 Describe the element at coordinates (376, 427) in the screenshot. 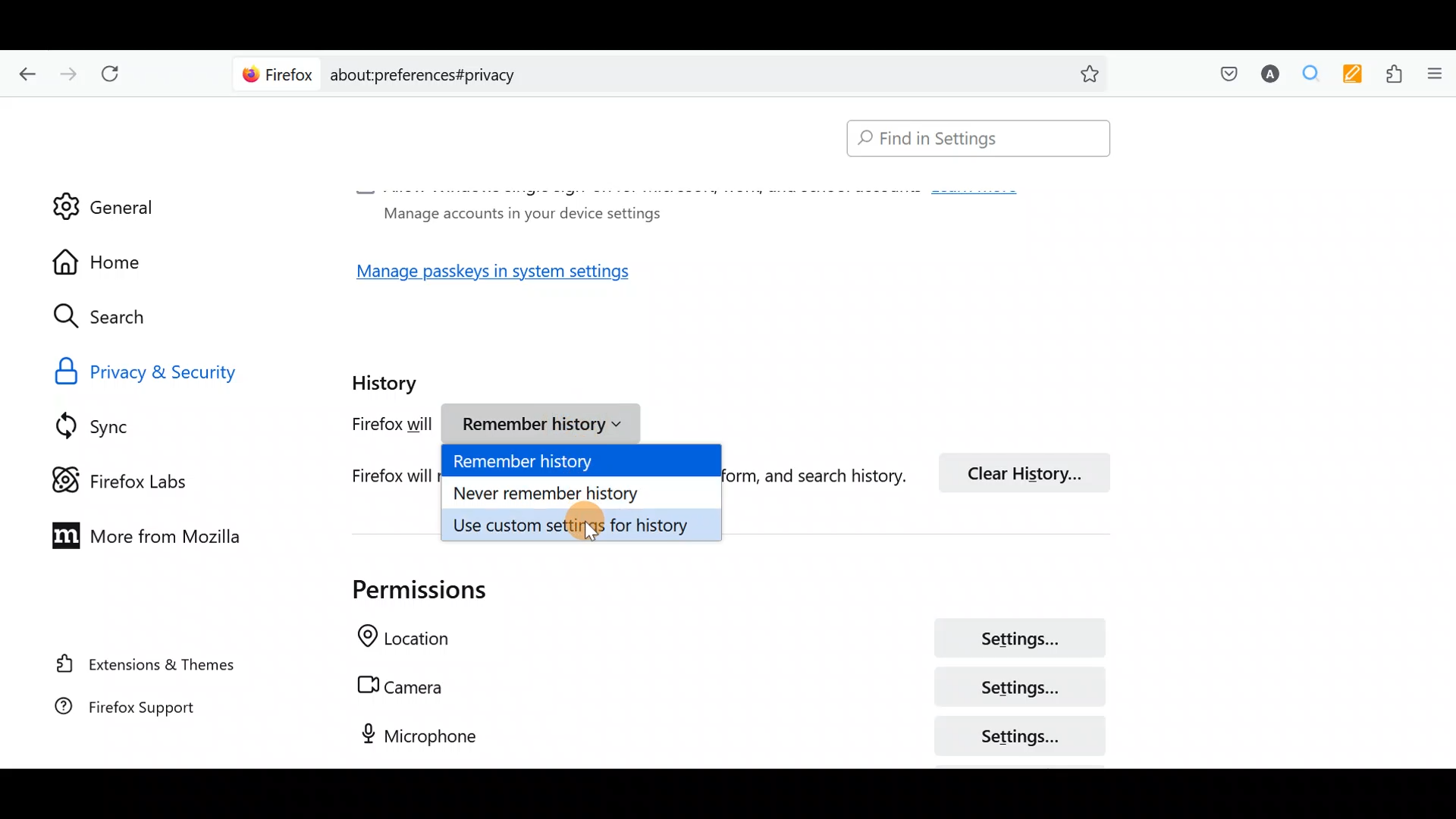

I see `Firefox will` at that location.